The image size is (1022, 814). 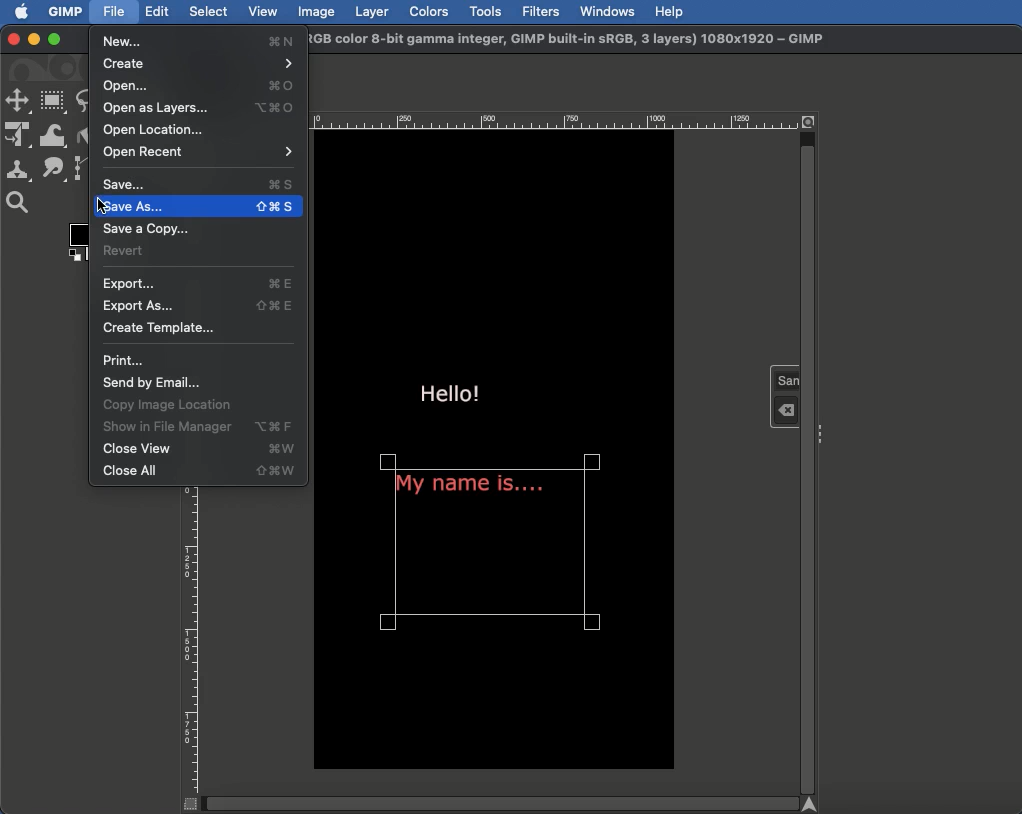 What do you see at coordinates (18, 102) in the screenshot?
I see `Move tool` at bounding box center [18, 102].